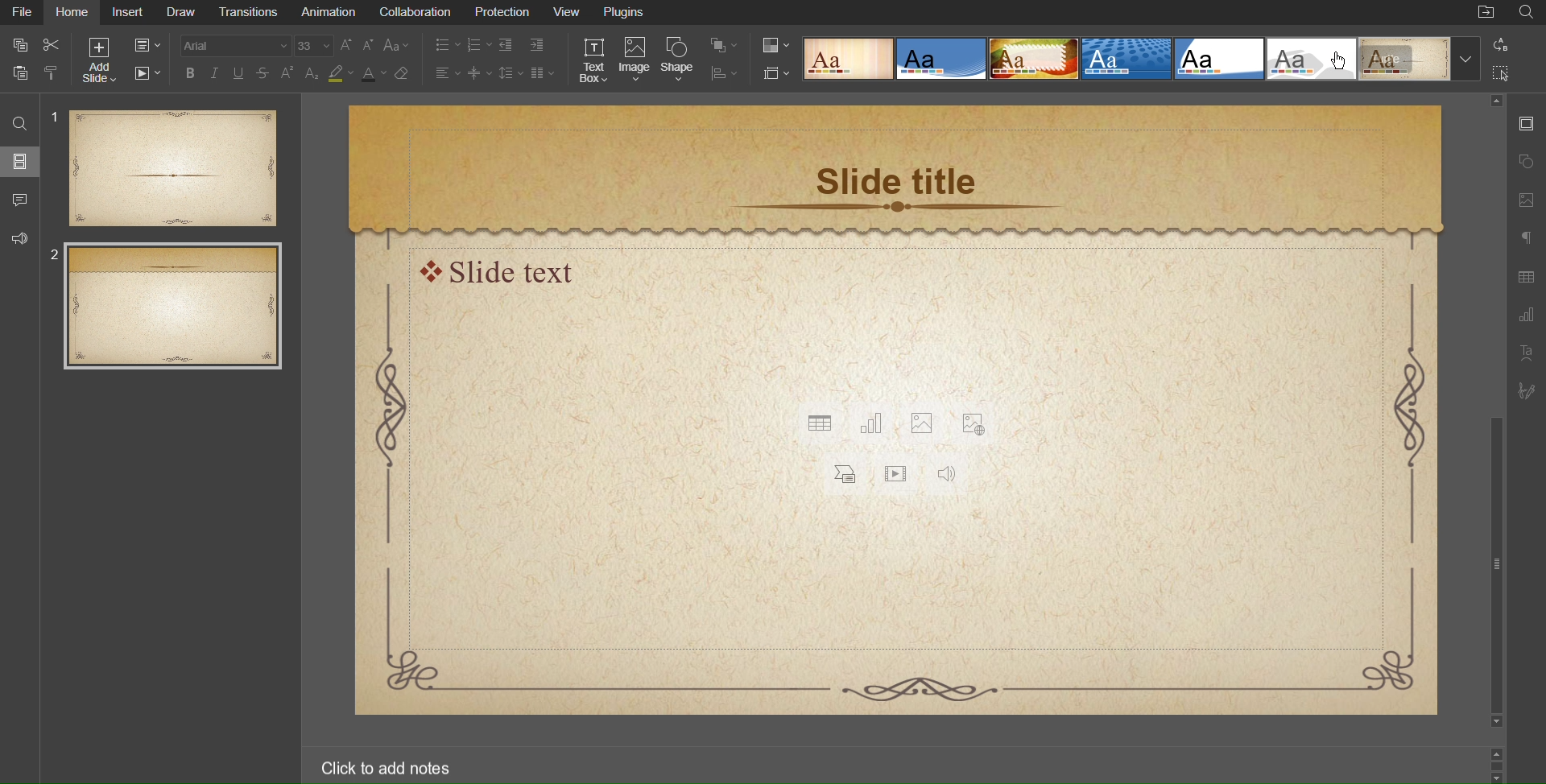  Describe the element at coordinates (501, 14) in the screenshot. I see `Protection` at that location.